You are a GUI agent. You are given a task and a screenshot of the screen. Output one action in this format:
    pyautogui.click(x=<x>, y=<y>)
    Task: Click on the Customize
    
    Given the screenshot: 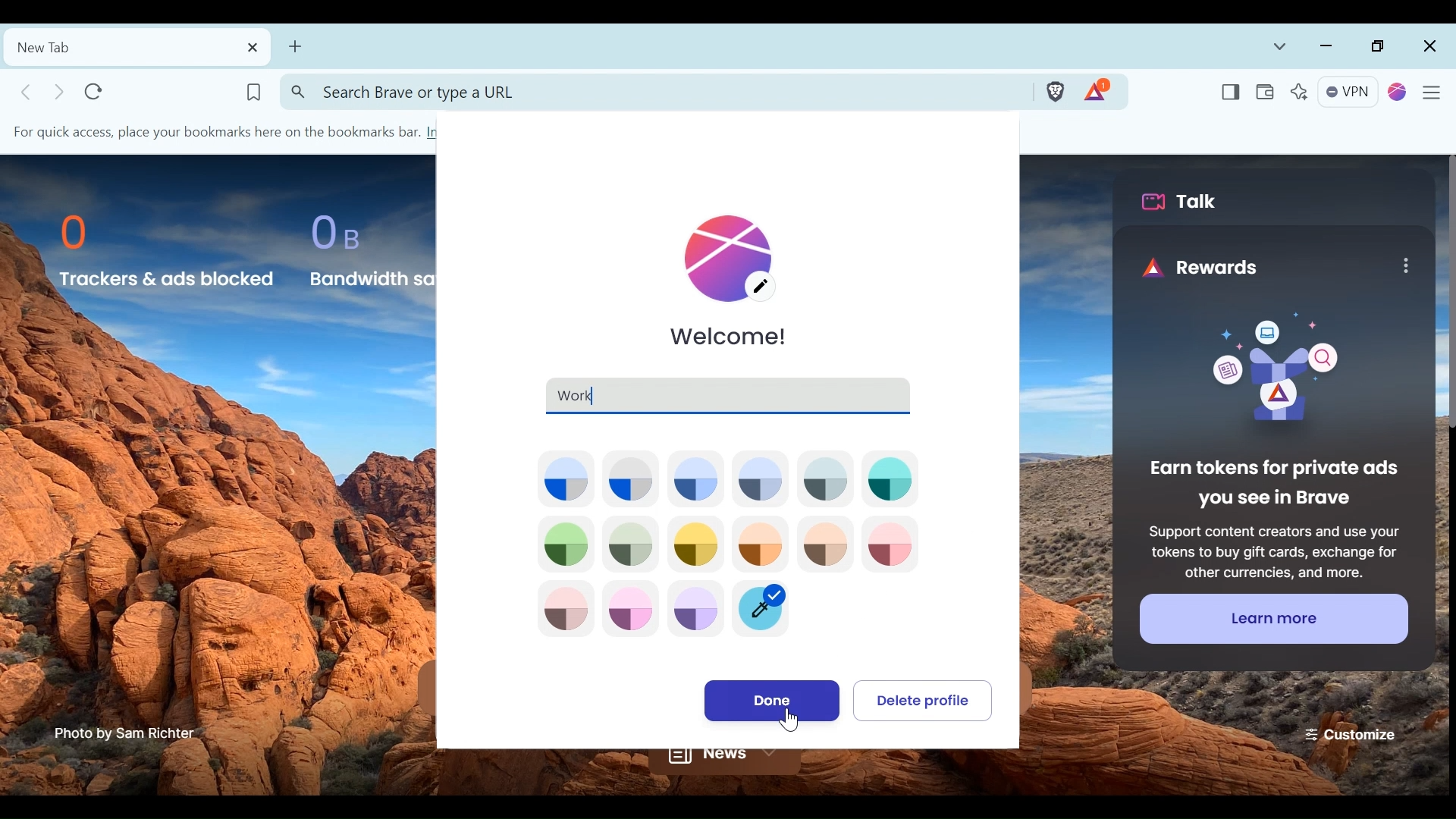 What is the action you would take?
    pyautogui.click(x=1352, y=733)
    